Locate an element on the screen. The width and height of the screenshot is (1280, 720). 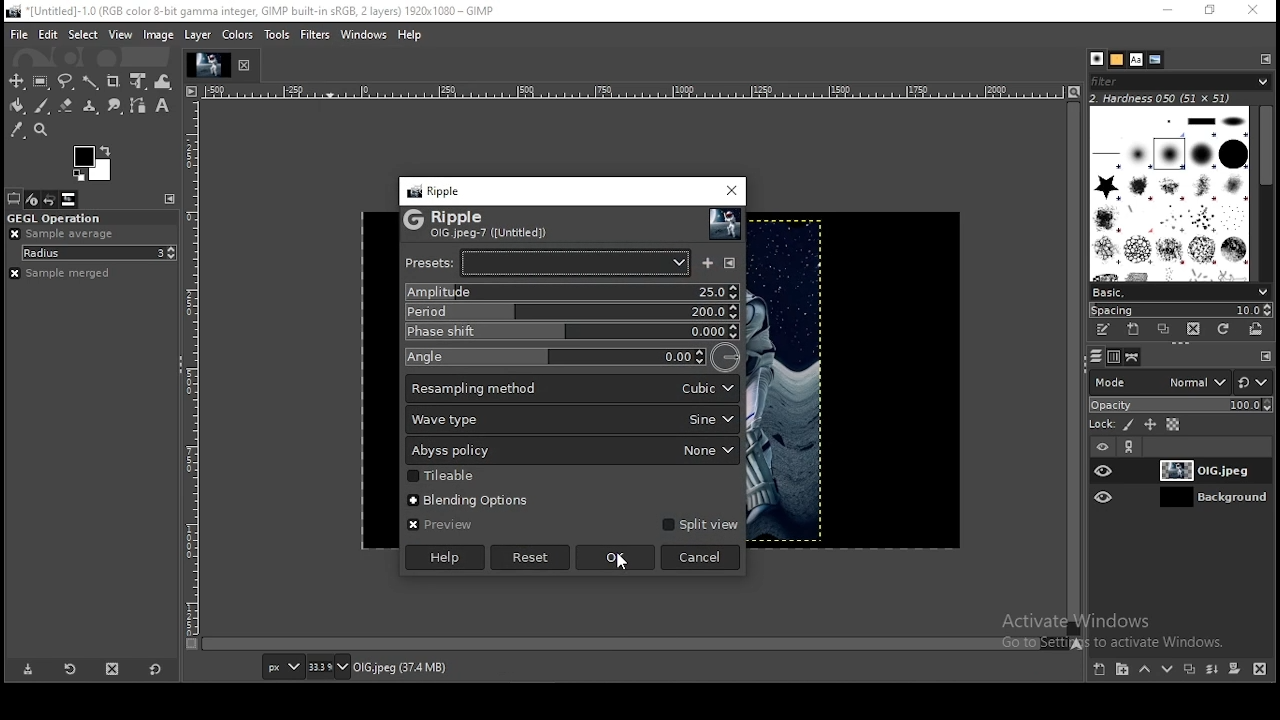
image is located at coordinates (854, 382).